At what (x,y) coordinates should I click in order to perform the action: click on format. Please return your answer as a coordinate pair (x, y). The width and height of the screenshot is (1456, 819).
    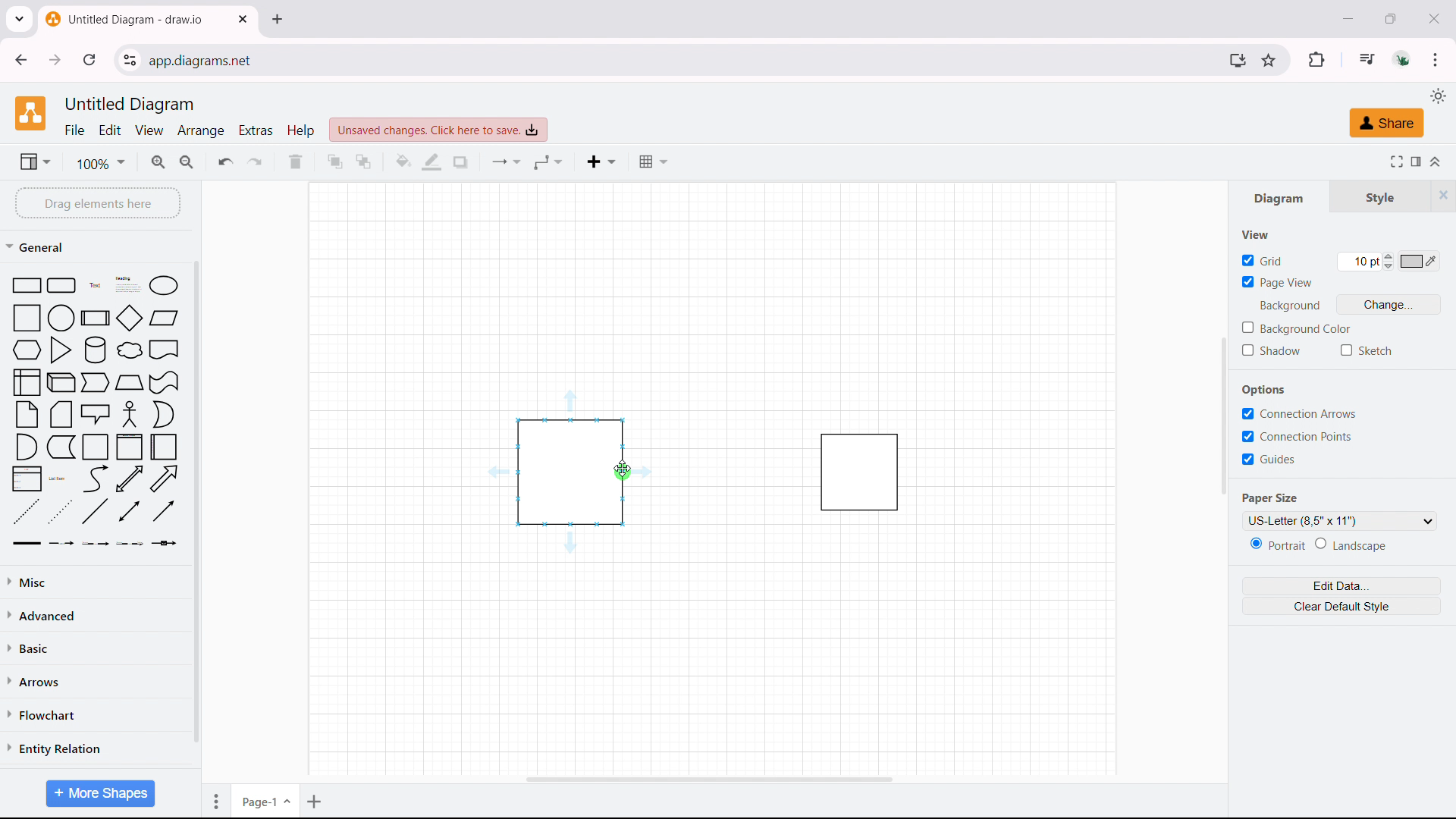
    Looking at the image, I should click on (1415, 160).